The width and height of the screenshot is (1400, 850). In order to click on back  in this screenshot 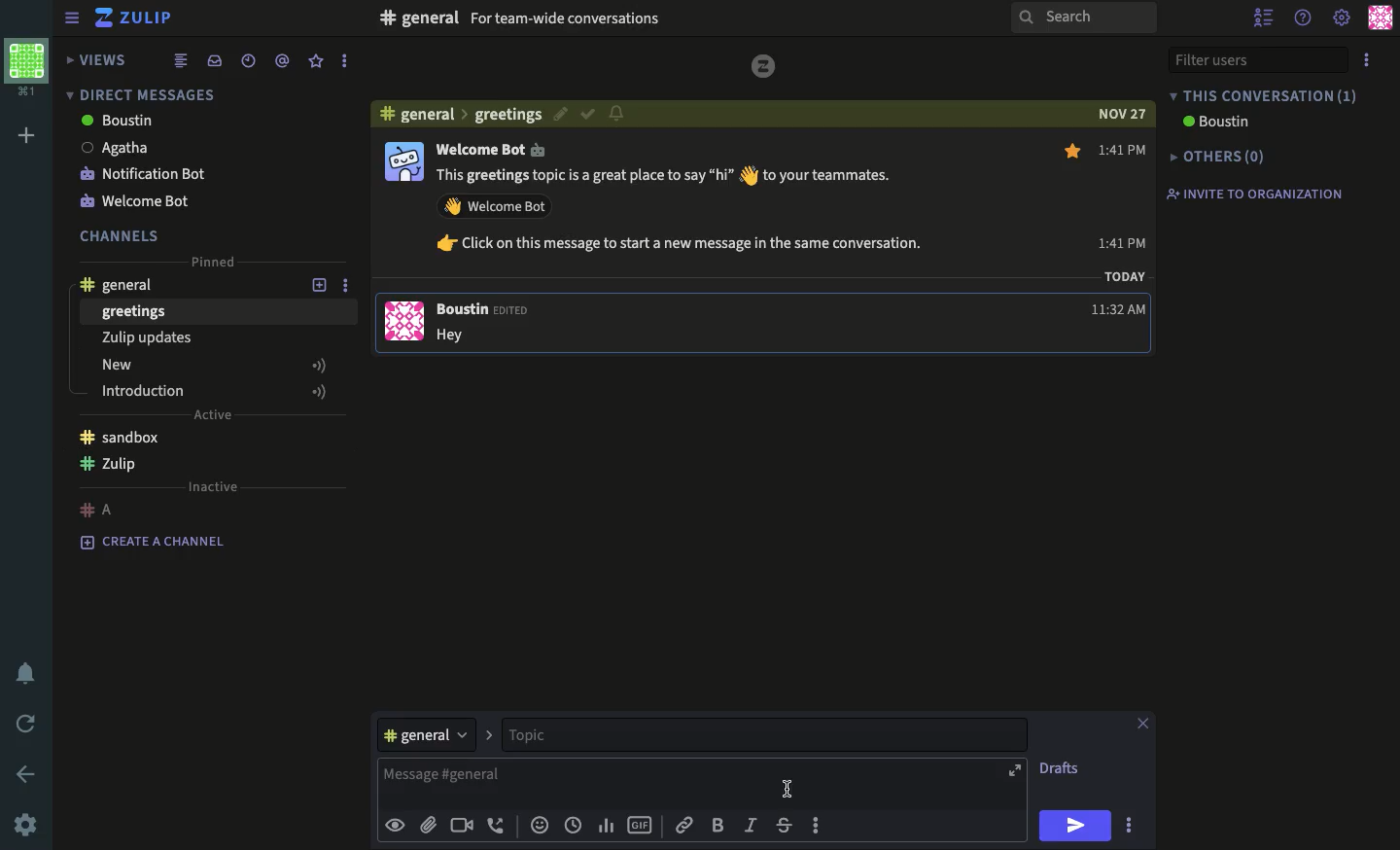, I will do `click(28, 775)`.